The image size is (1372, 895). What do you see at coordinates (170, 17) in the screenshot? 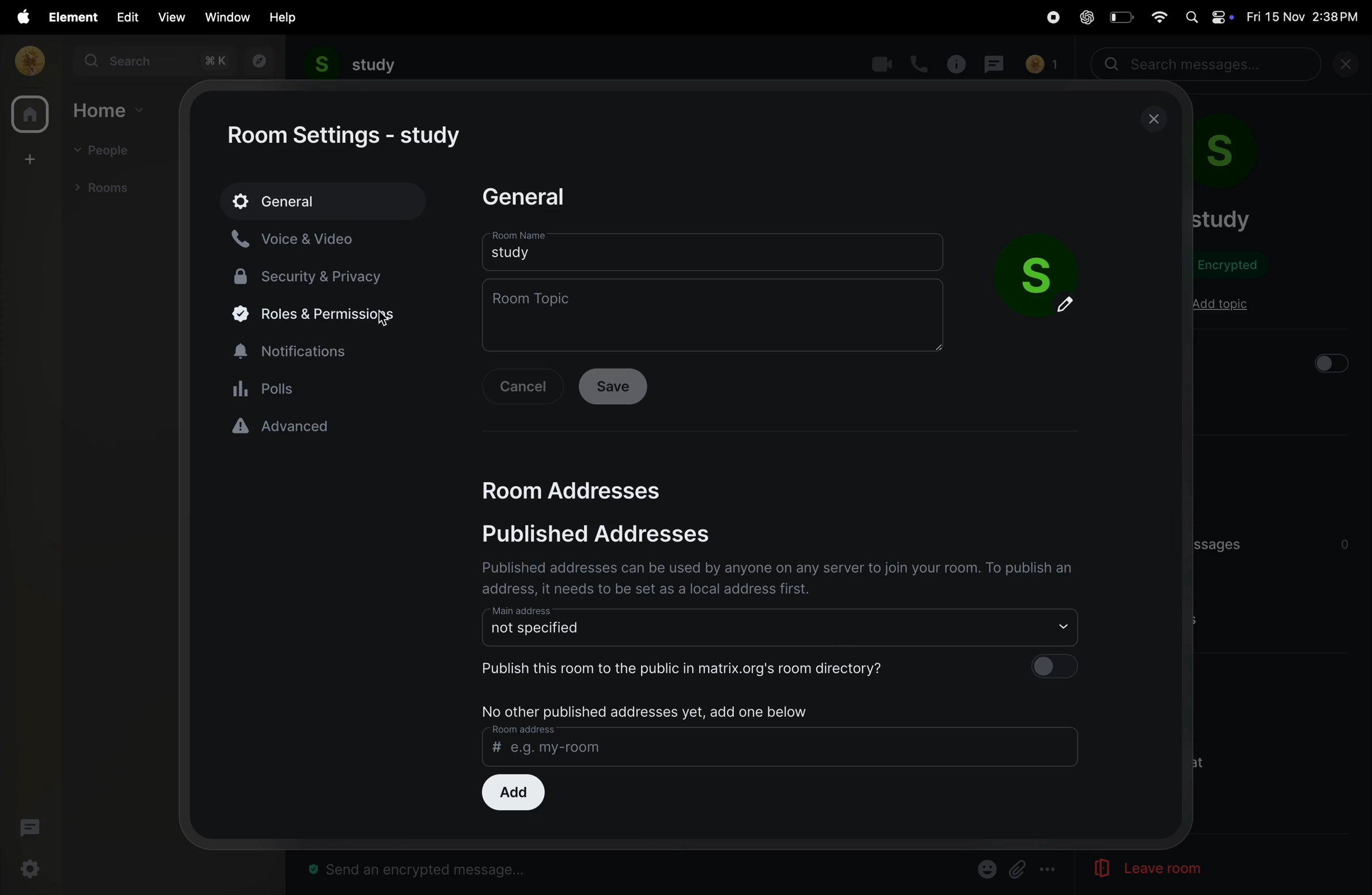
I see `view` at bounding box center [170, 17].